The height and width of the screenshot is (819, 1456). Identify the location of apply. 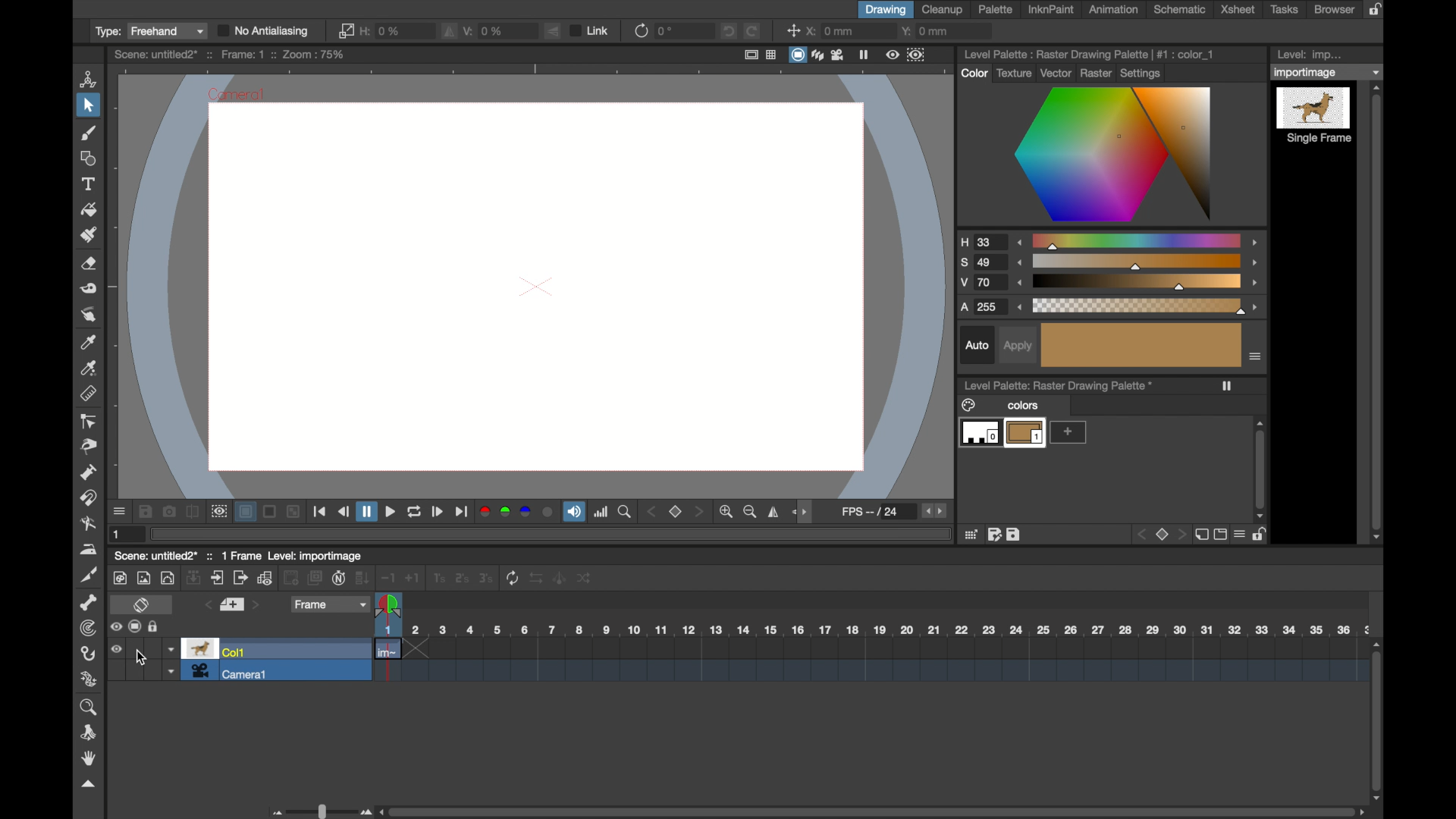
(1018, 347).